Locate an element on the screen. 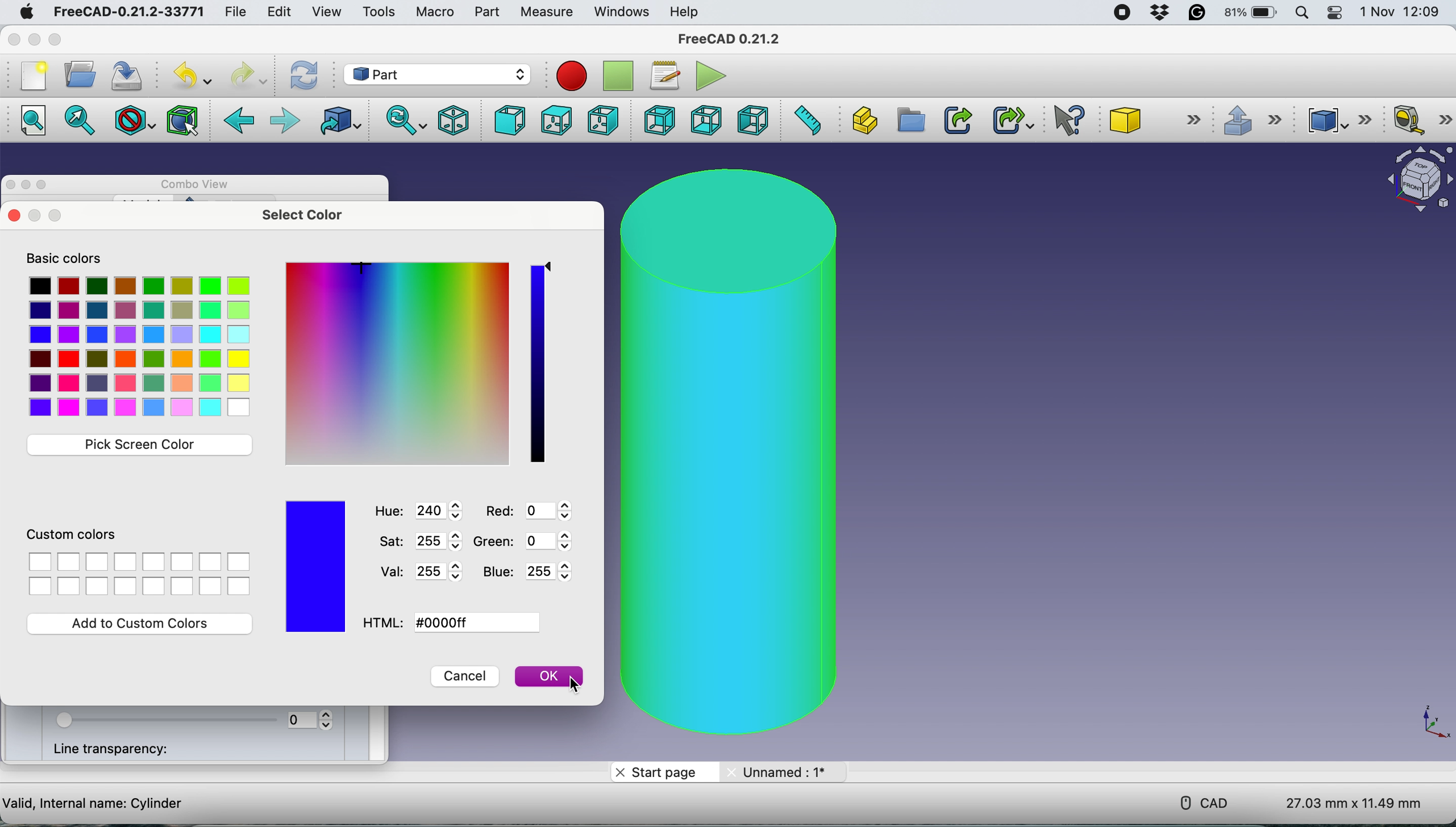 This screenshot has height=827, width=1456. maximise is located at coordinates (44, 187).